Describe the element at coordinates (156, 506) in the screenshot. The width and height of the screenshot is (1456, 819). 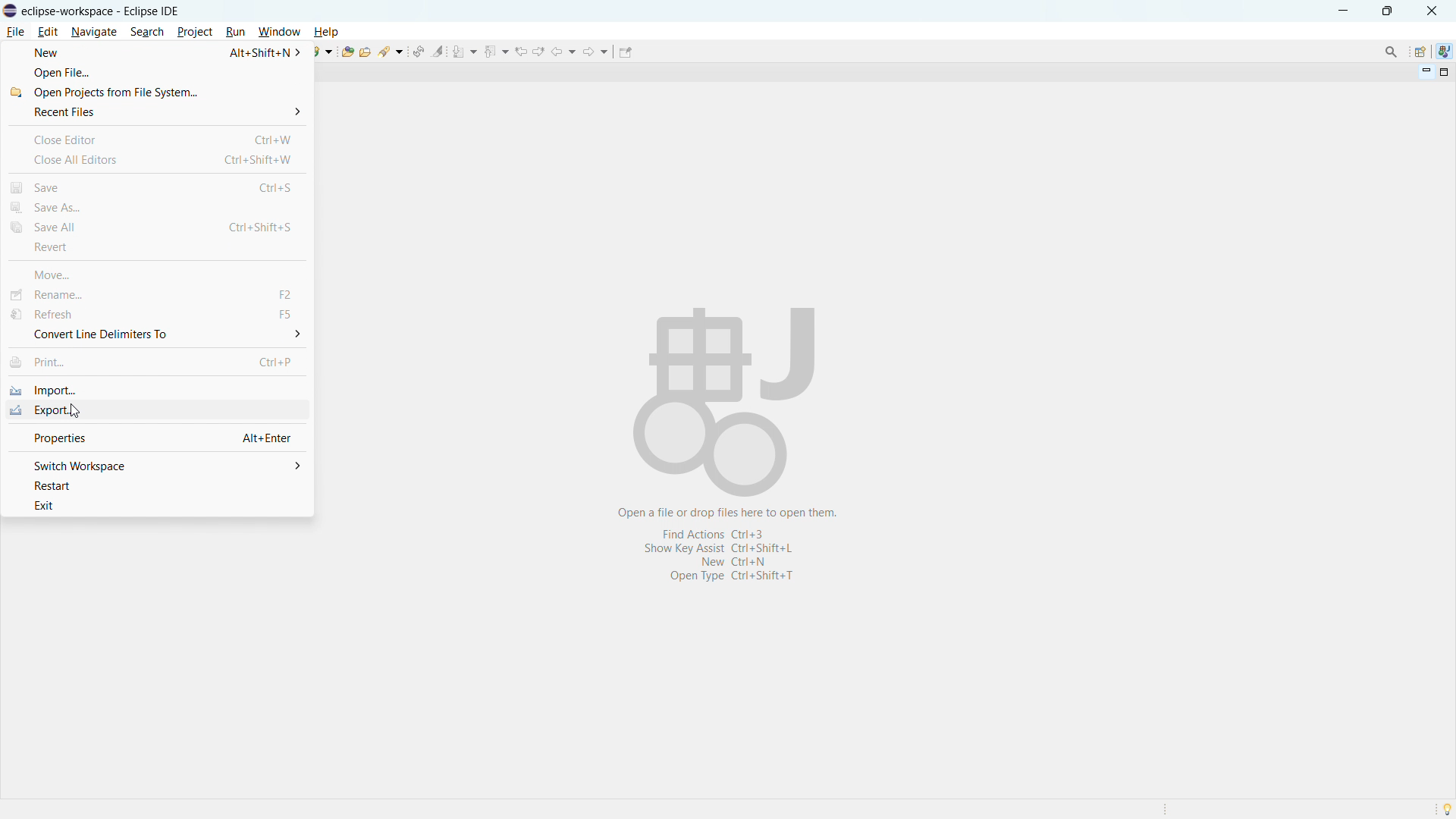
I see `exit` at that location.